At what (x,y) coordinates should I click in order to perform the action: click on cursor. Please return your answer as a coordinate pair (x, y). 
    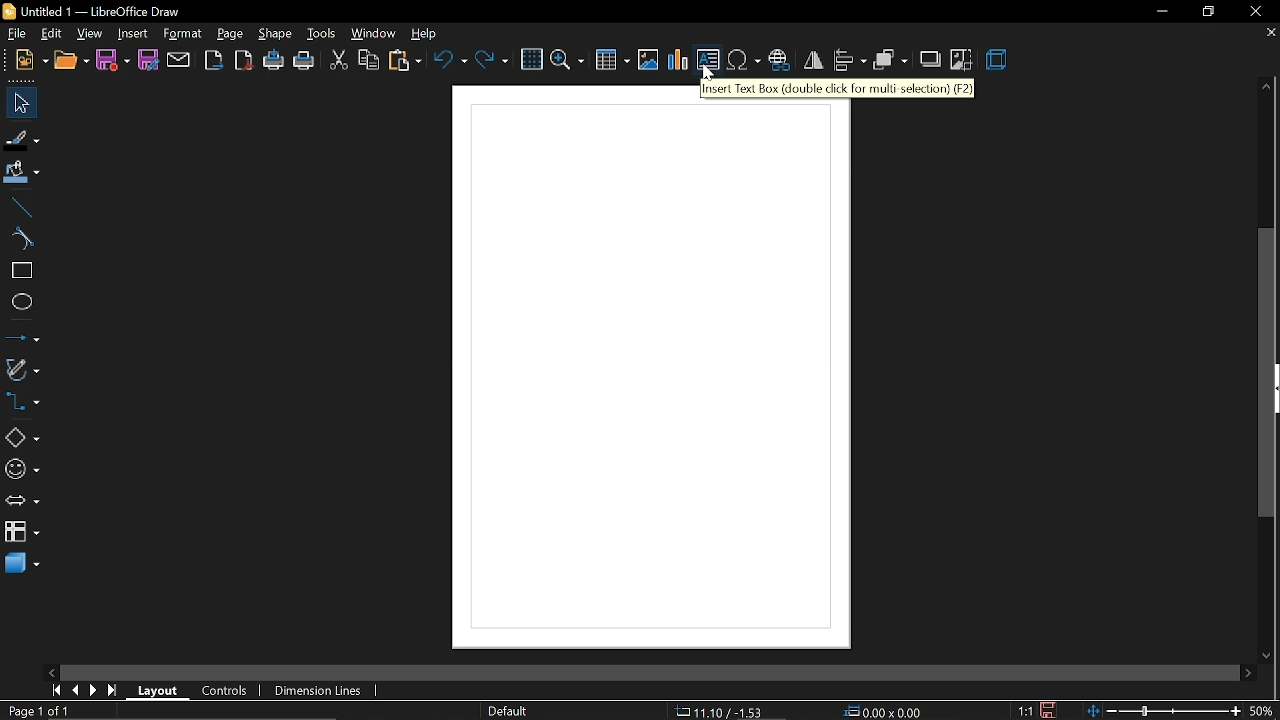
    Looking at the image, I should click on (710, 73).